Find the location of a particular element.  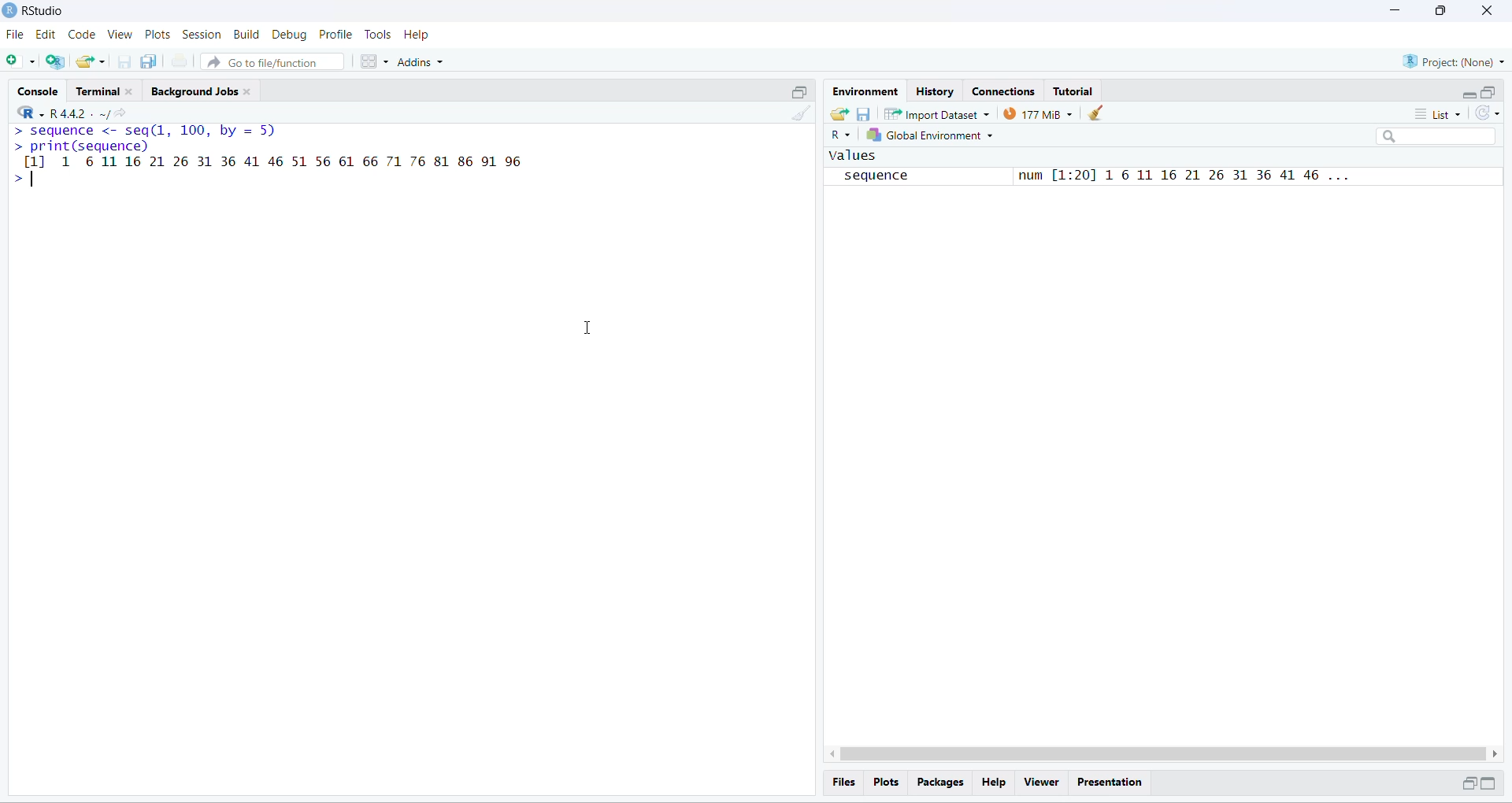

packages is located at coordinates (942, 783).